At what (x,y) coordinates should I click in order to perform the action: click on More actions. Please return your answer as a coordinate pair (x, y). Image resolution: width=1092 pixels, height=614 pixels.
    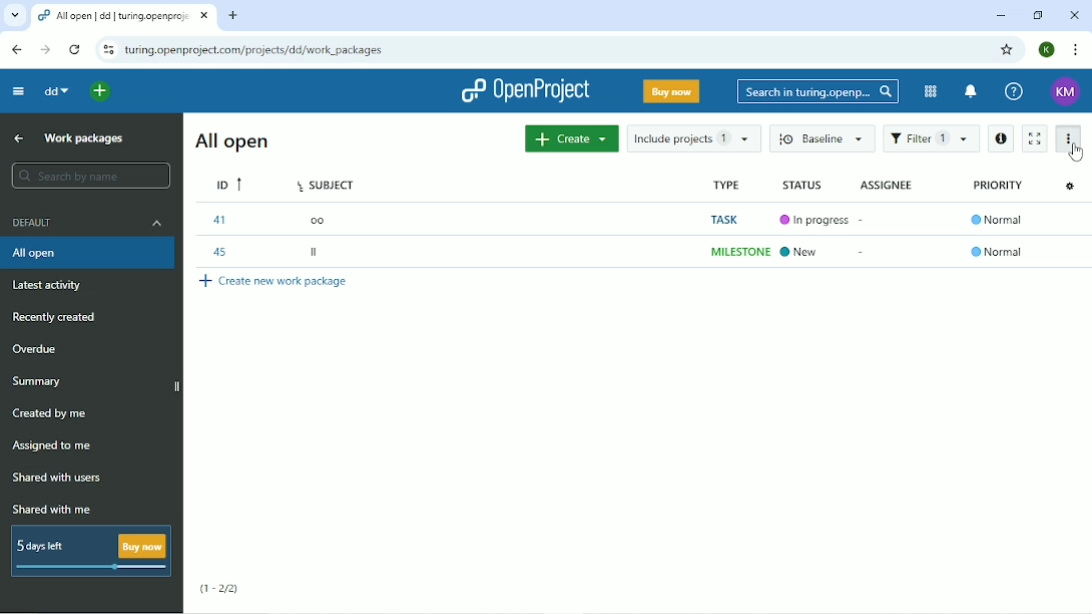
    Looking at the image, I should click on (1072, 138).